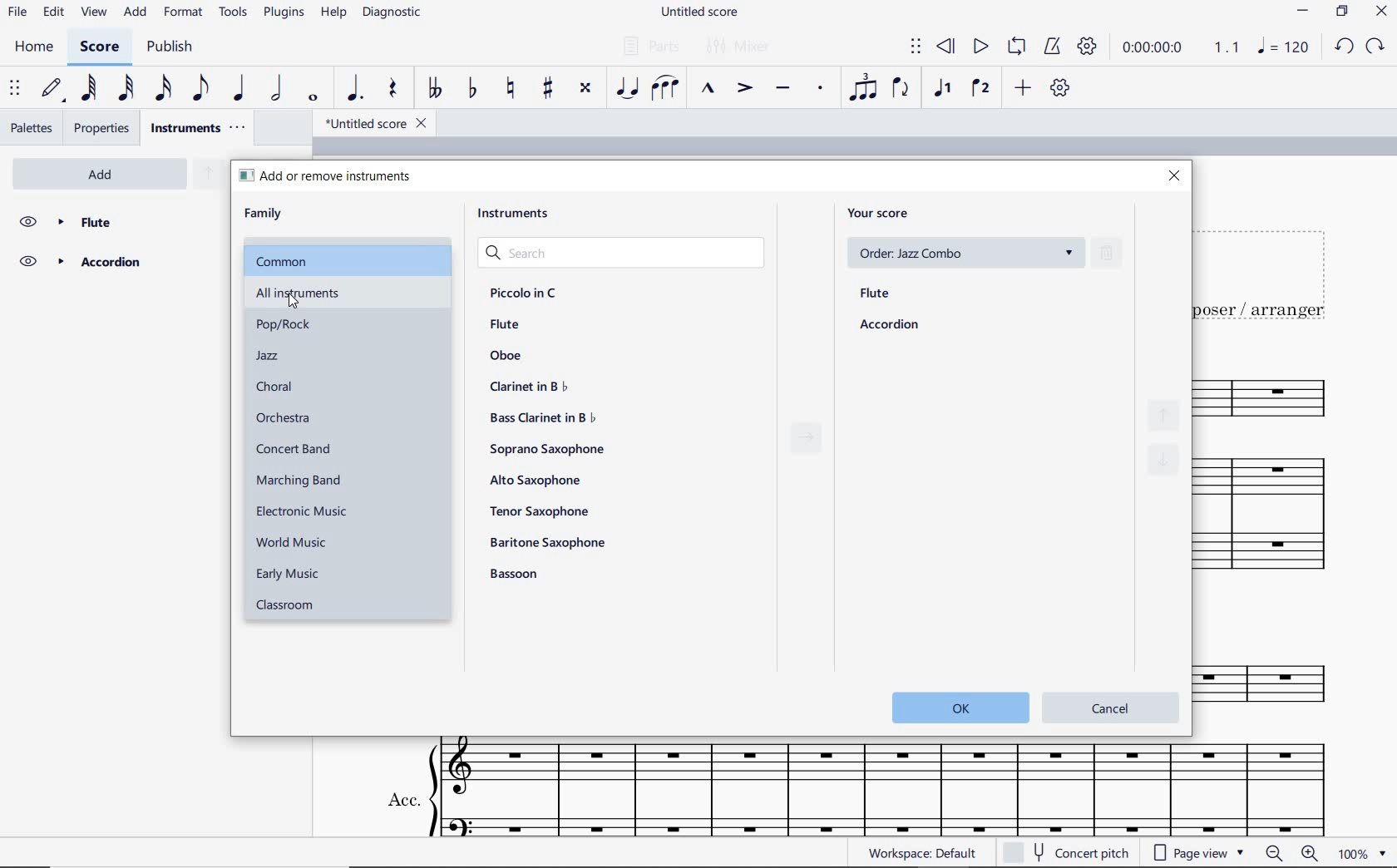  What do you see at coordinates (890, 326) in the screenshot?
I see `accordion` at bounding box center [890, 326].